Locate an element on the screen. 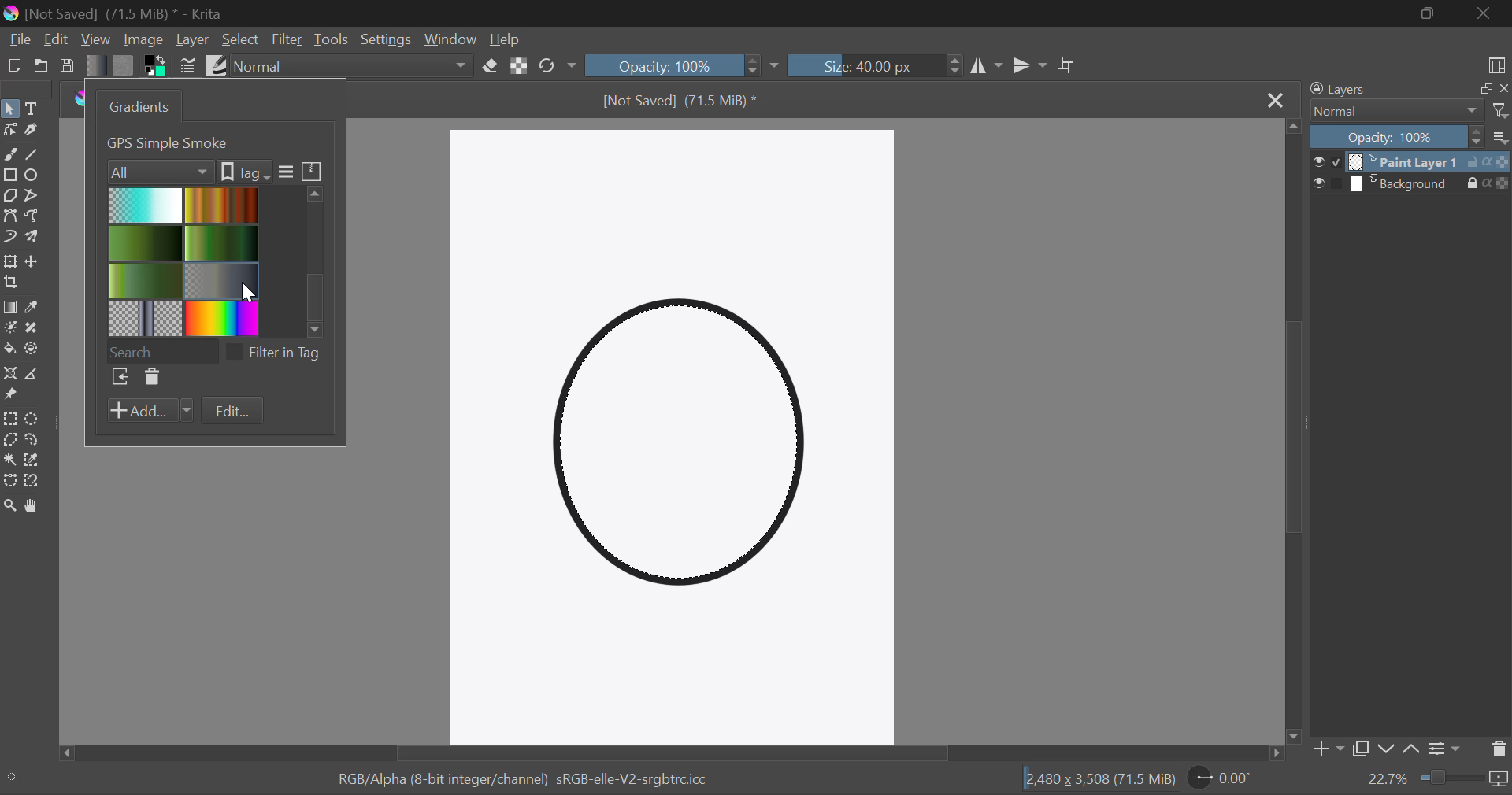  Window is located at coordinates (452, 42).